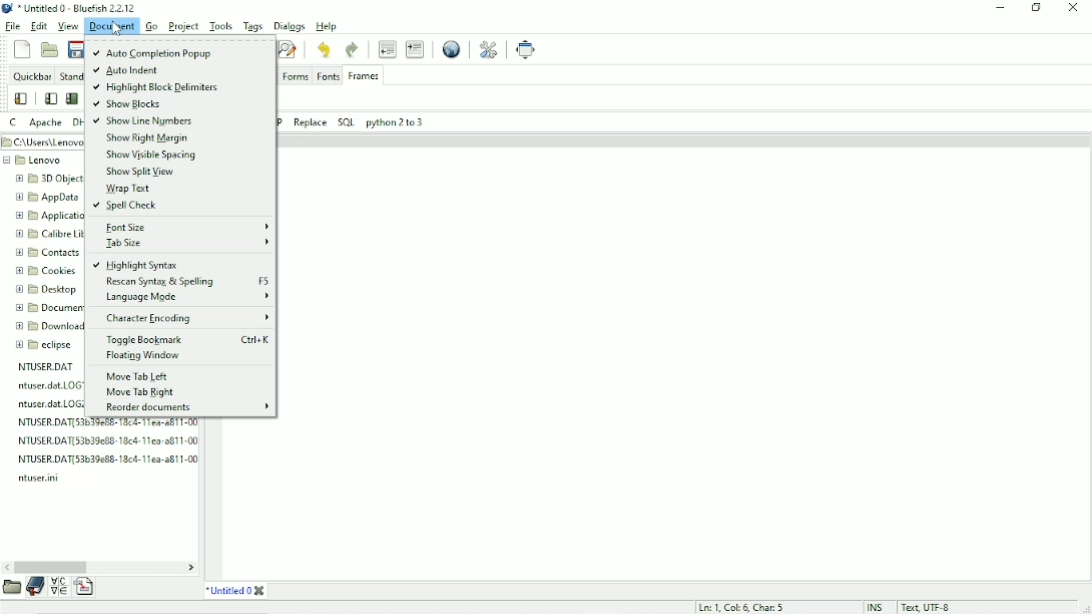 The image size is (1092, 614). Describe the element at coordinates (139, 377) in the screenshot. I see `Move tab left` at that location.